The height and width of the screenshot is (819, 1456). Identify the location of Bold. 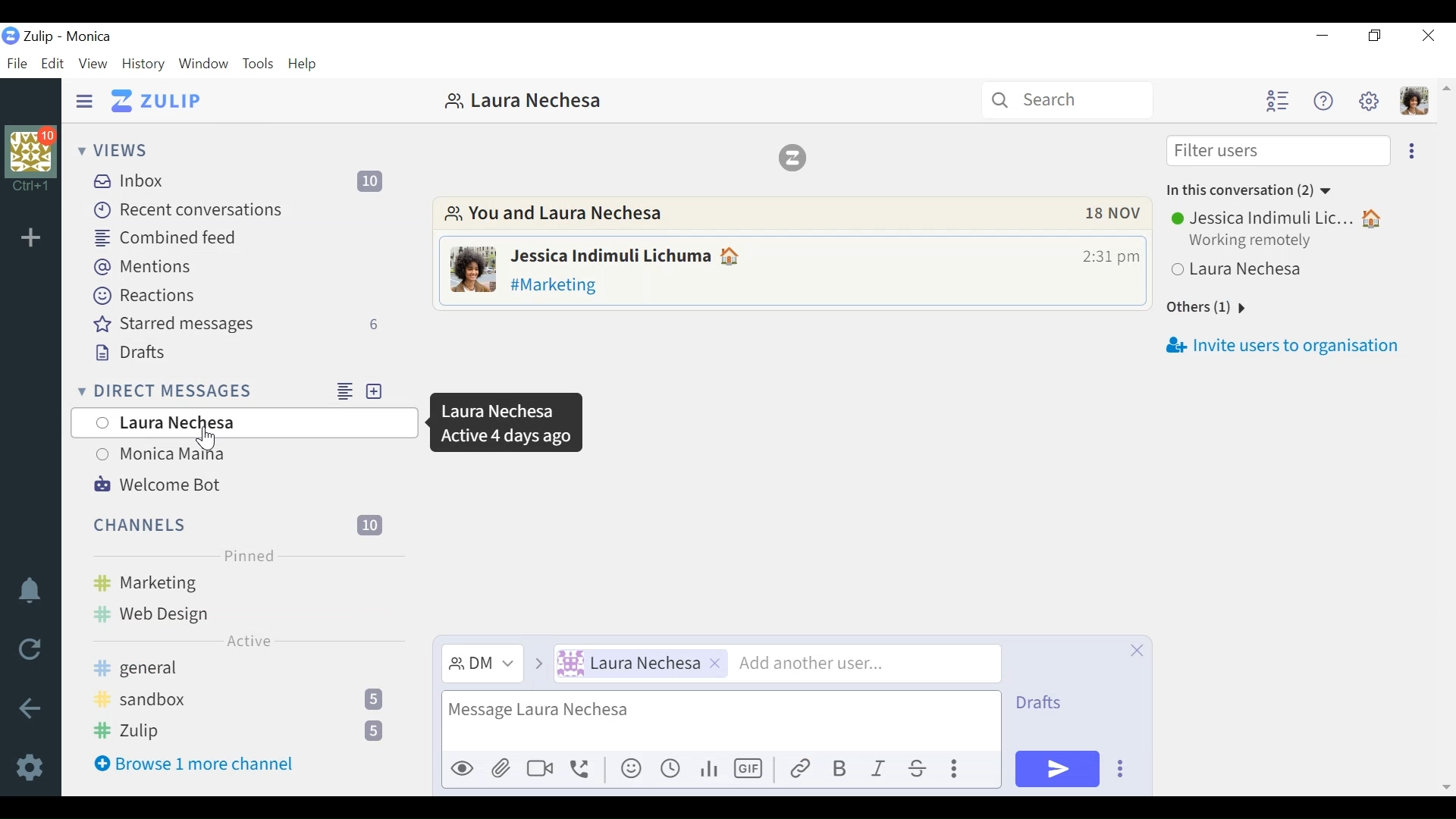
(839, 768).